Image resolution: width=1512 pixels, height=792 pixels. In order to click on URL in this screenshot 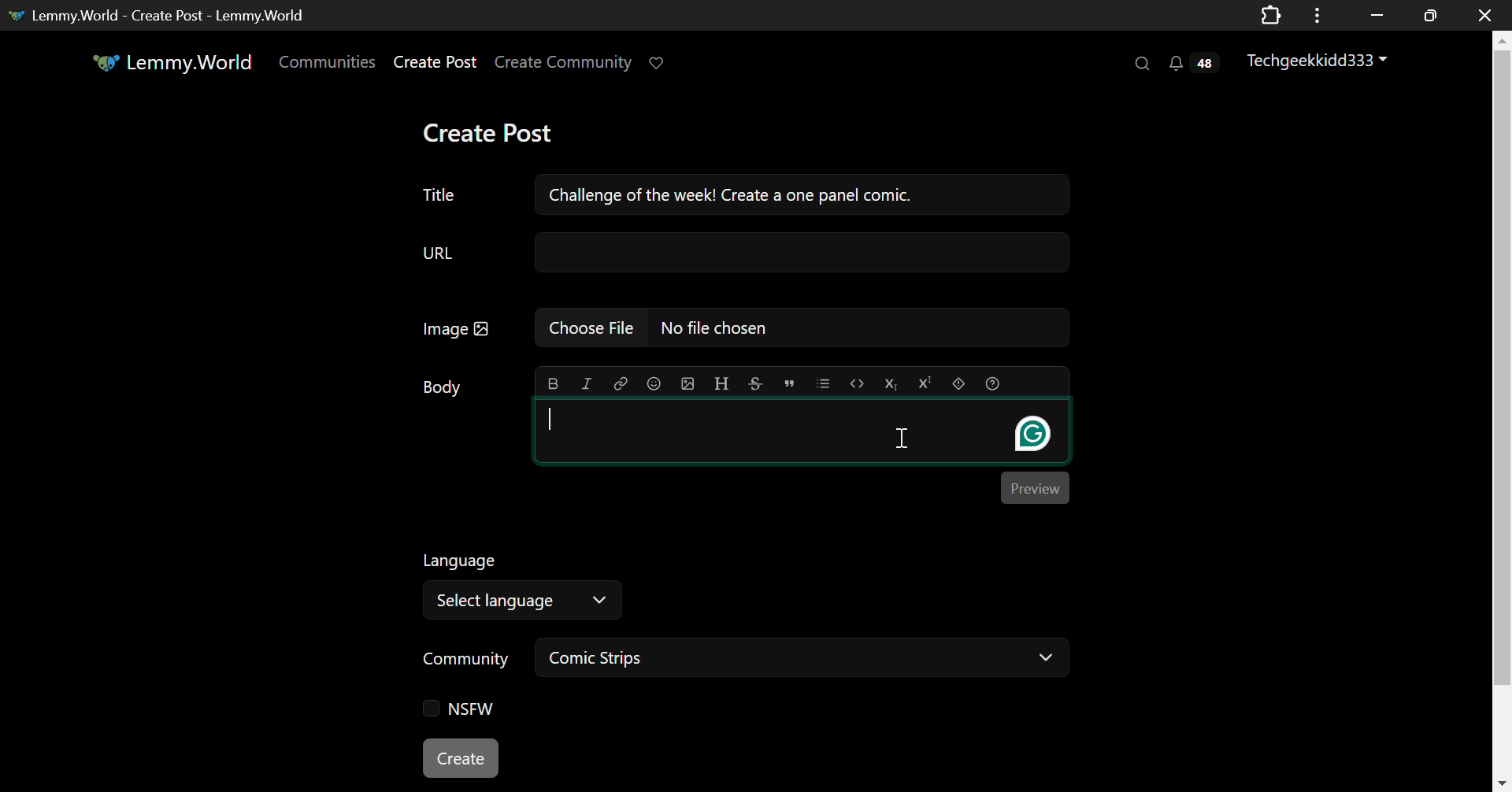, I will do `click(743, 257)`.